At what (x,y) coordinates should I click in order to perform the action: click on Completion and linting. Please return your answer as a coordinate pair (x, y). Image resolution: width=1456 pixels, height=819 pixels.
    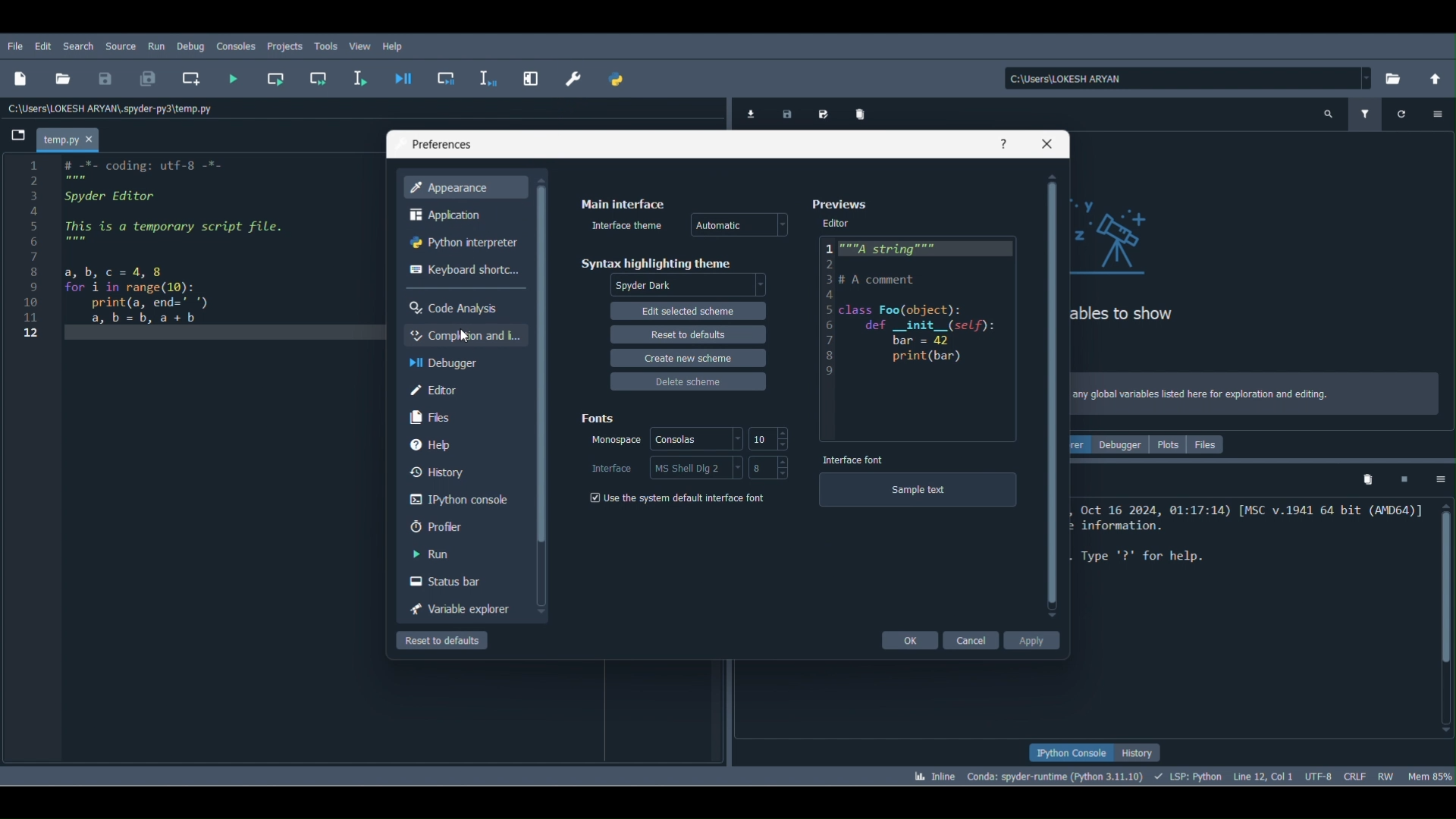
    Looking at the image, I should click on (465, 335).